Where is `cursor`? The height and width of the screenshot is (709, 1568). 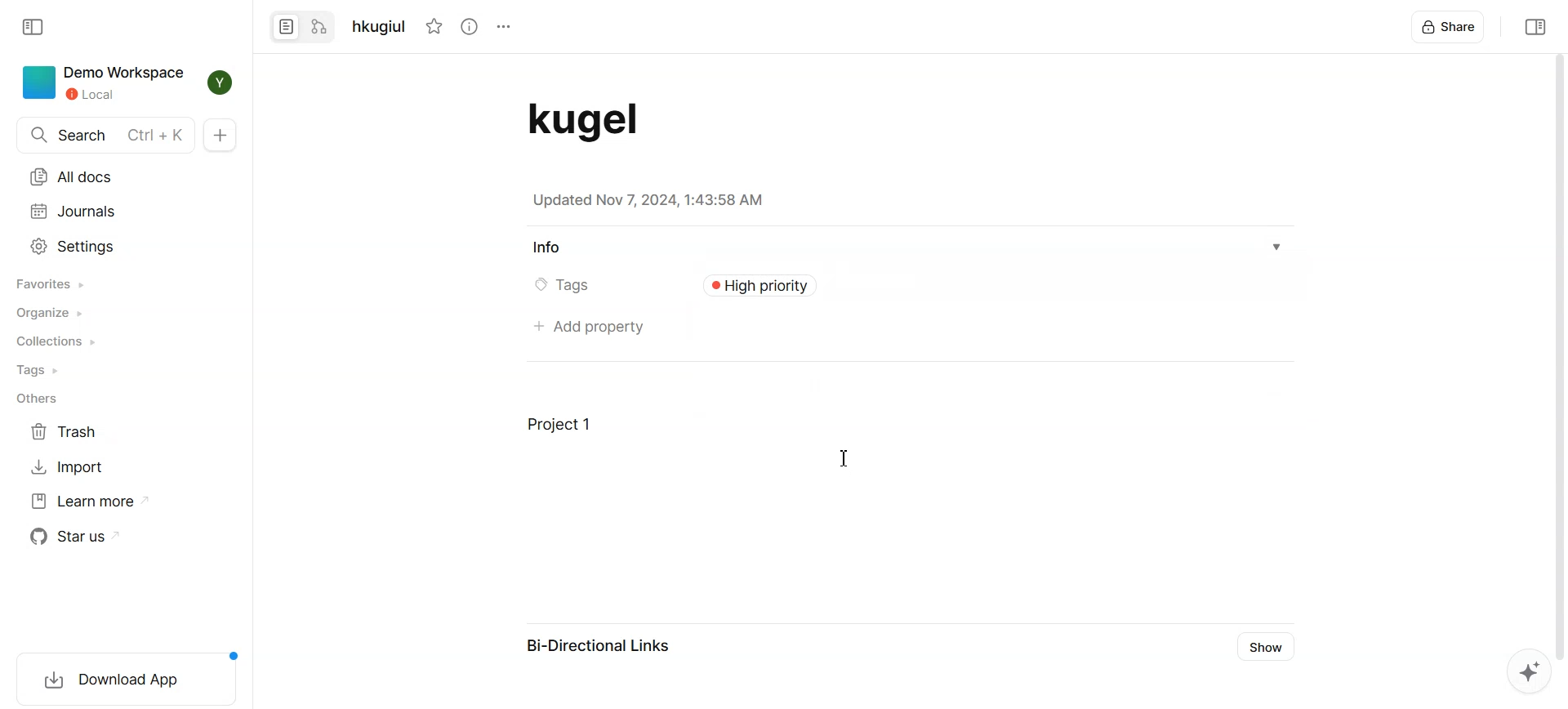 cursor is located at coordinates (845, 457).